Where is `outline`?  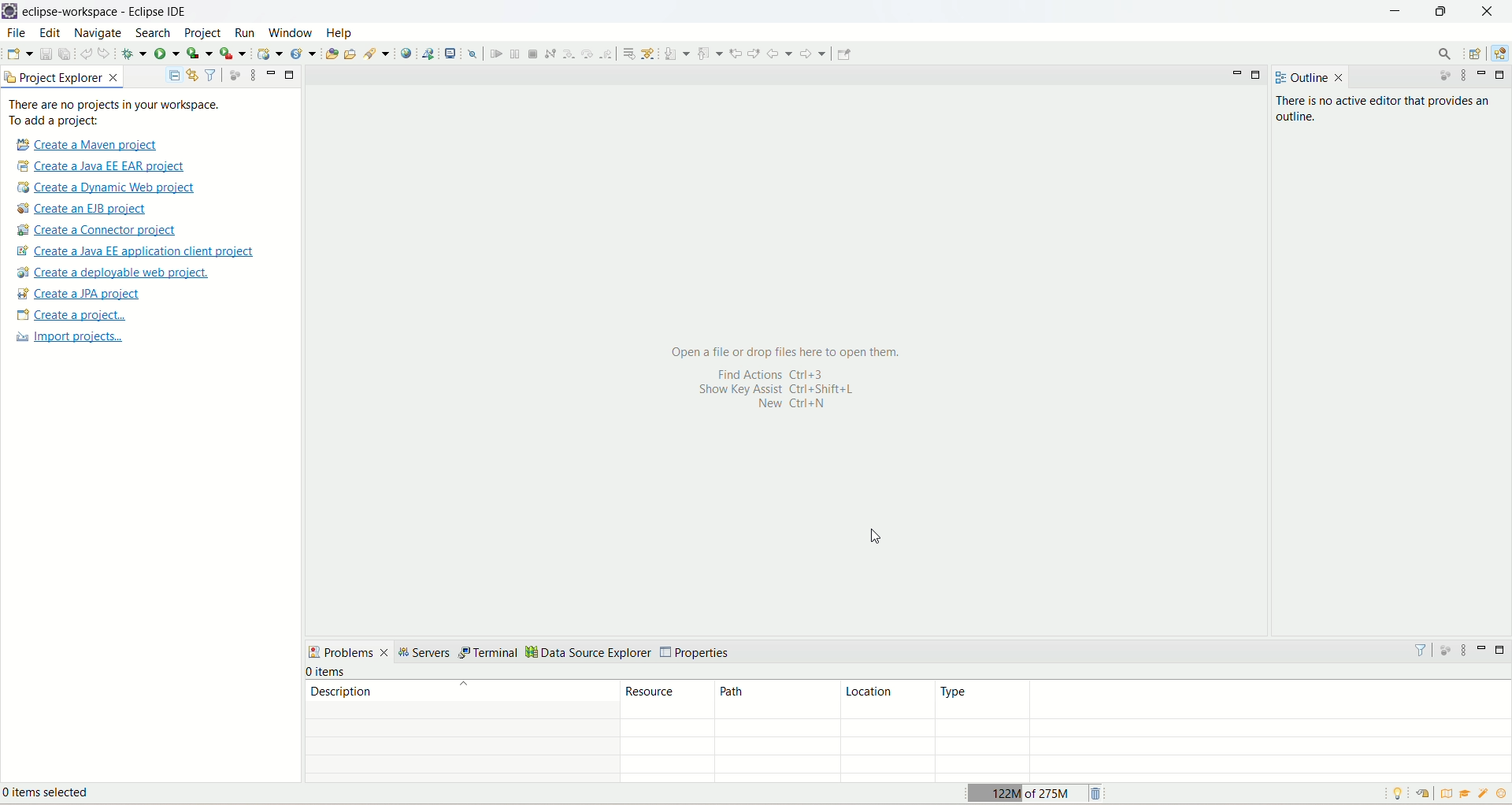
outline is located at coordinates (1299, 78).